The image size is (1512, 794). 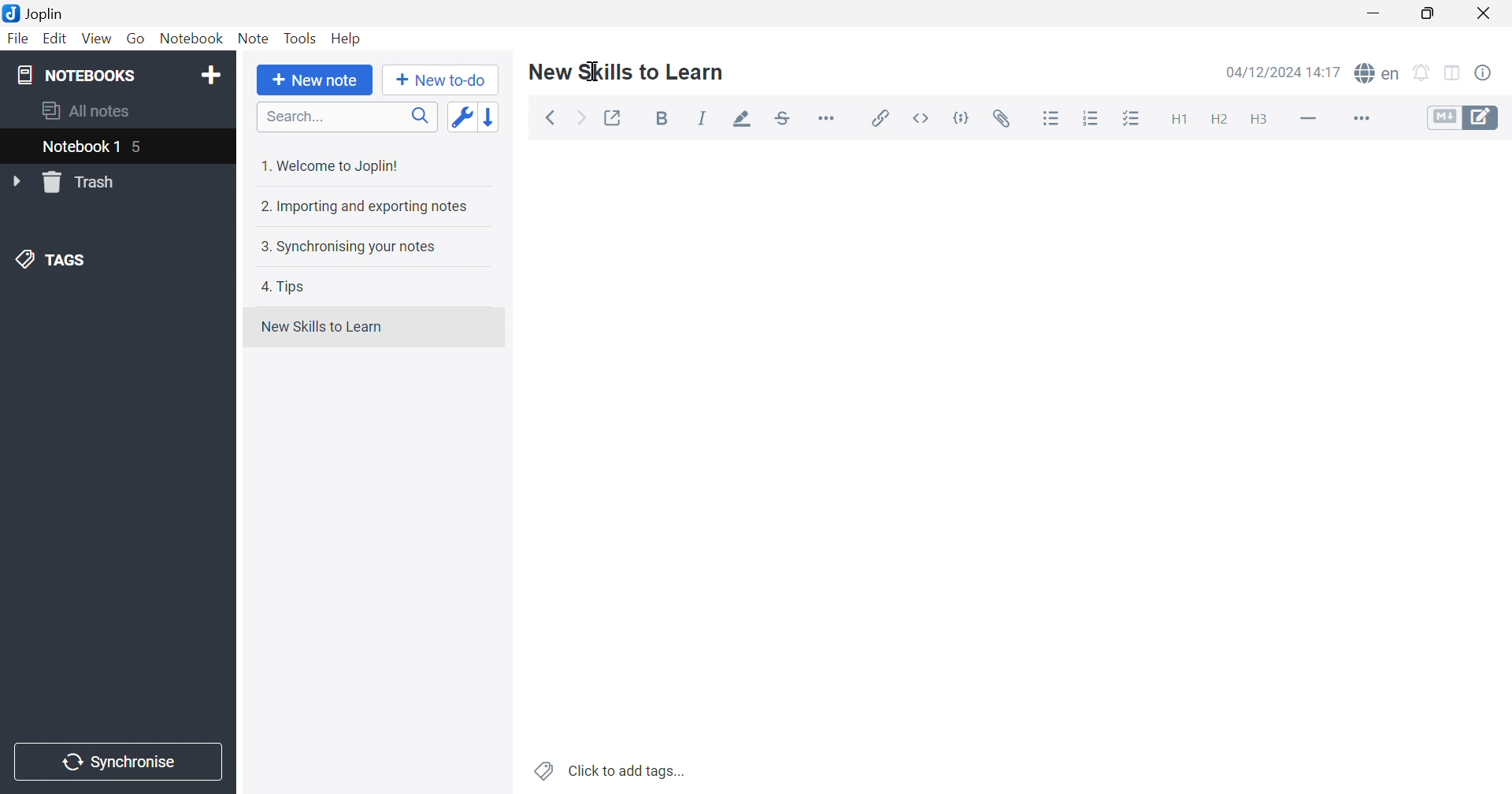 I want to click on TAGS, so click(x=54, y=258).